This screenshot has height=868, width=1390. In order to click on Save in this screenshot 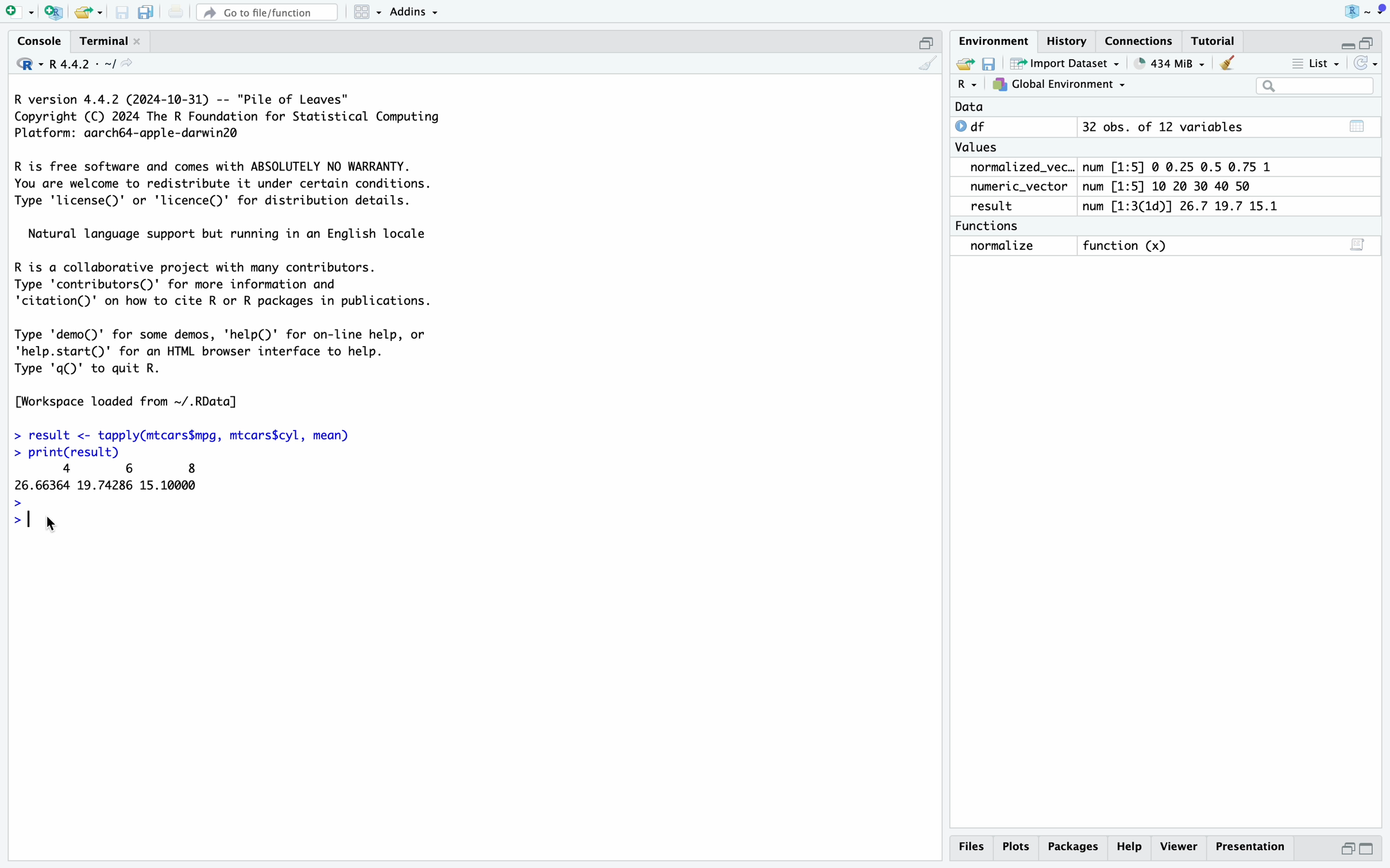, I will do `click(989, 63)`.